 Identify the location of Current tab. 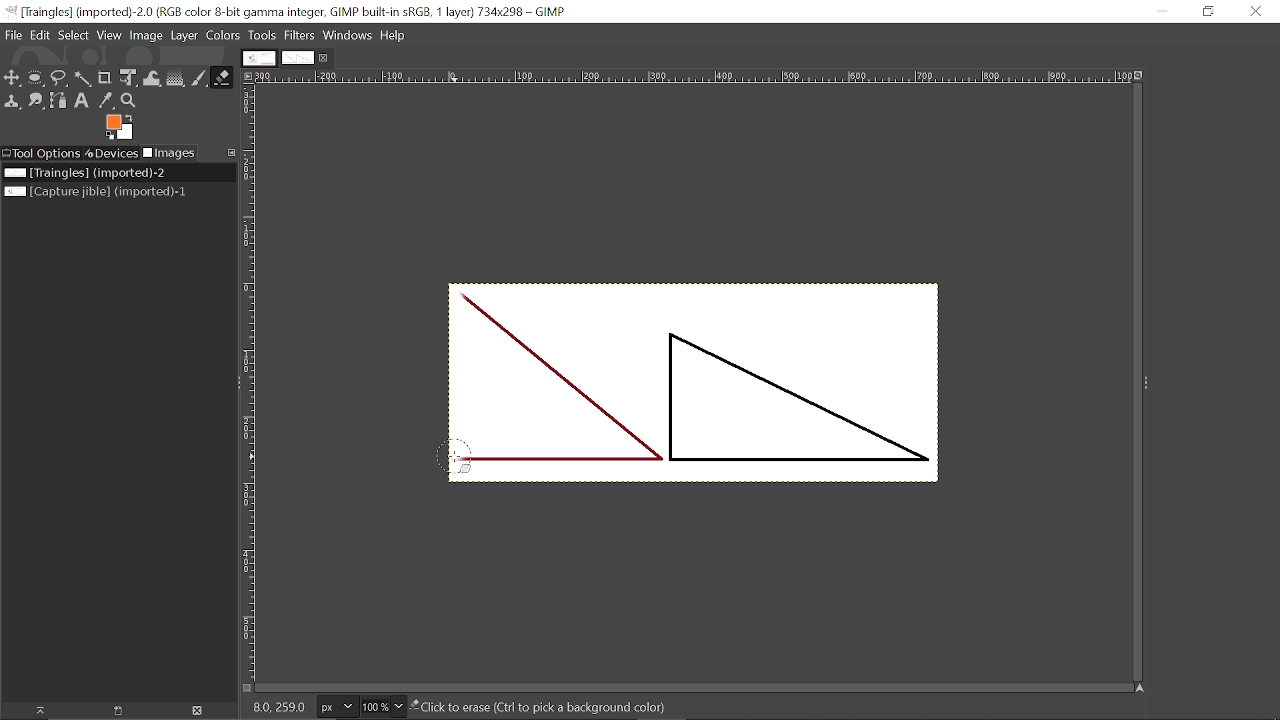
(298, 58).